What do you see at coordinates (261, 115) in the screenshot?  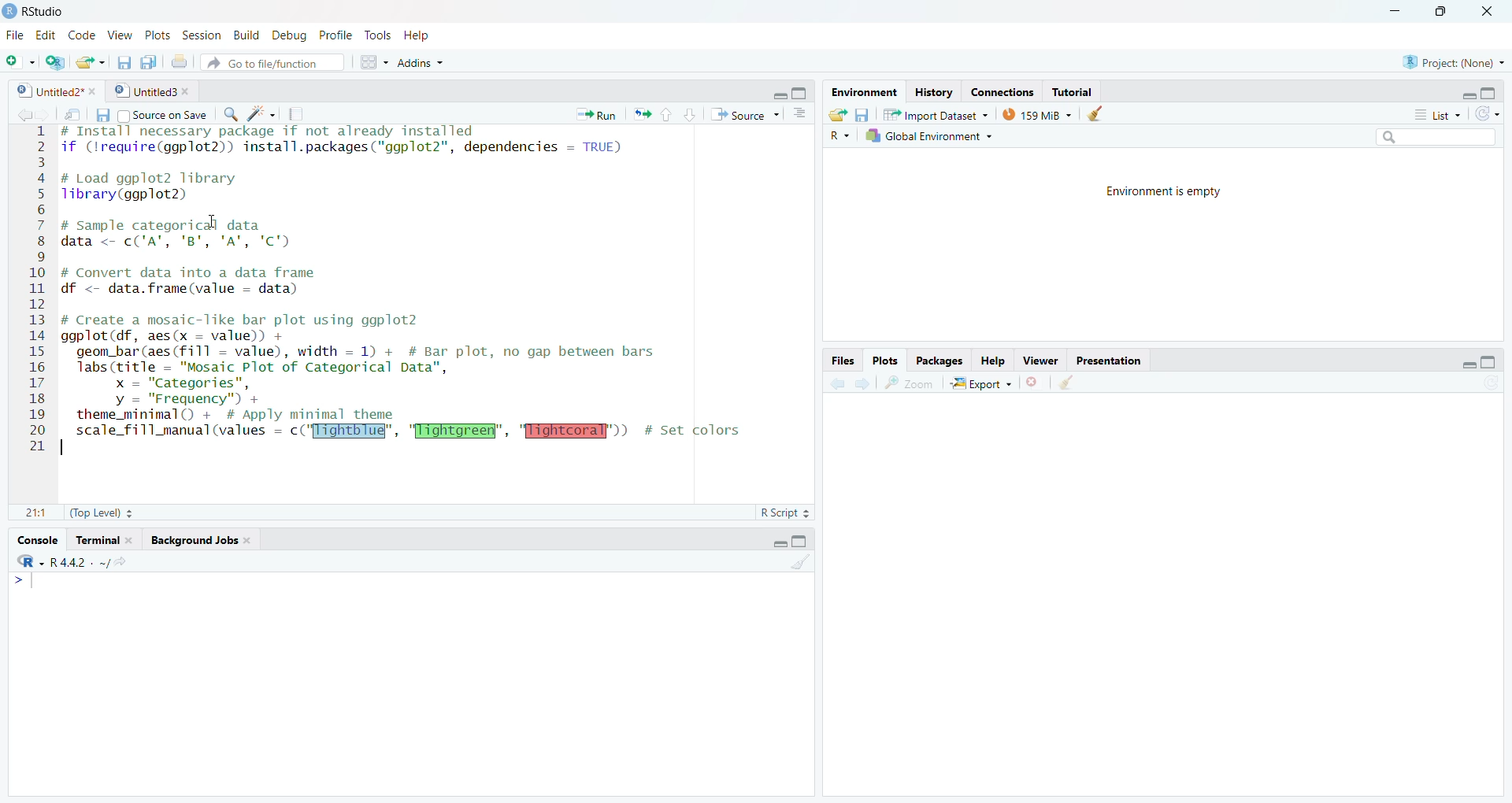 I see `Code Tools` at bounding box center [261, 115].